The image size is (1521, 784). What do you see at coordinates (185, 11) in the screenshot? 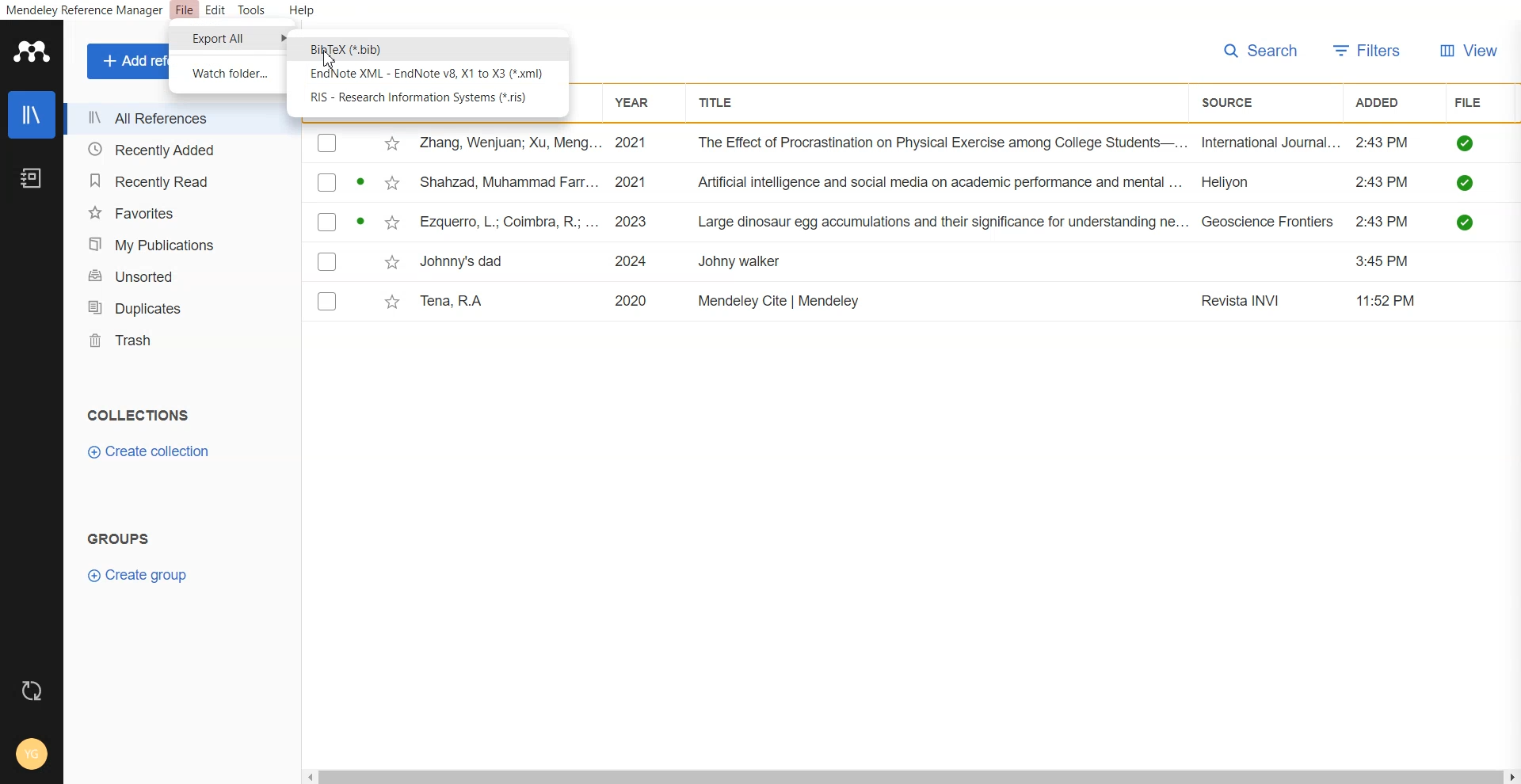
I see `File` at bounding box center [185, 11].